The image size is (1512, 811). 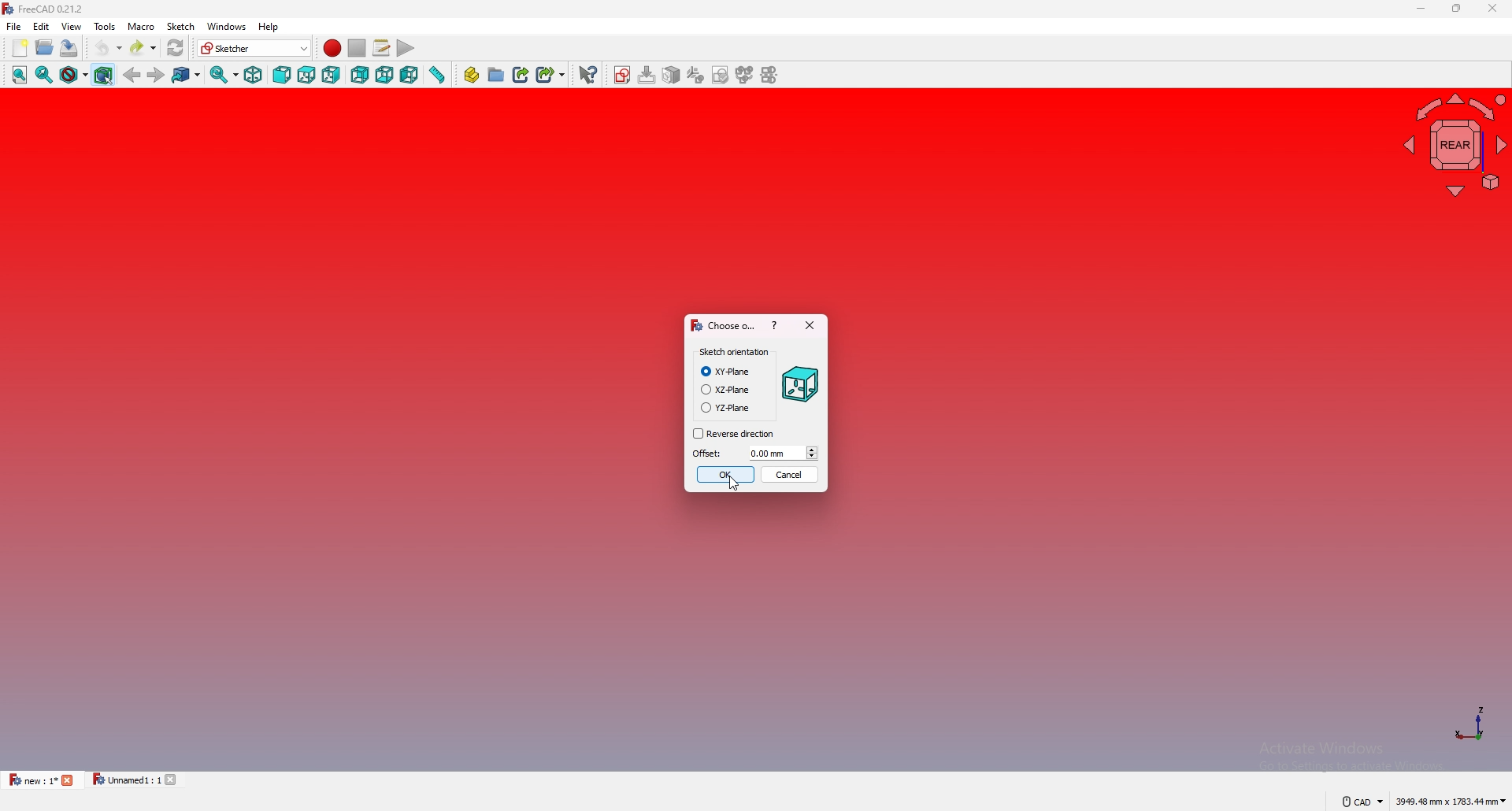 I want to click on stop macro, so click(x=358, y=48).